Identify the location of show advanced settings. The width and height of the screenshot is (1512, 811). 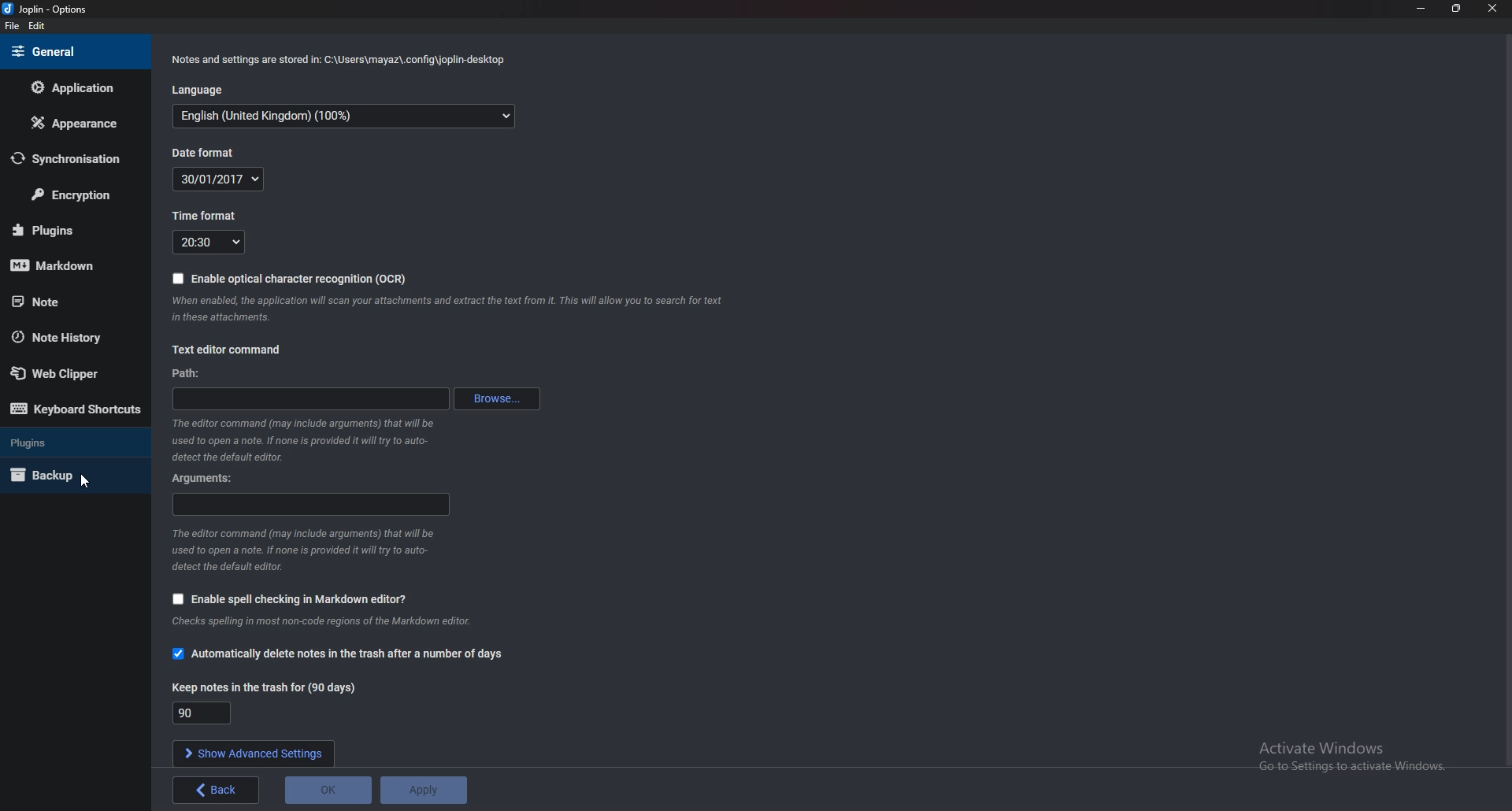
(255, 754).